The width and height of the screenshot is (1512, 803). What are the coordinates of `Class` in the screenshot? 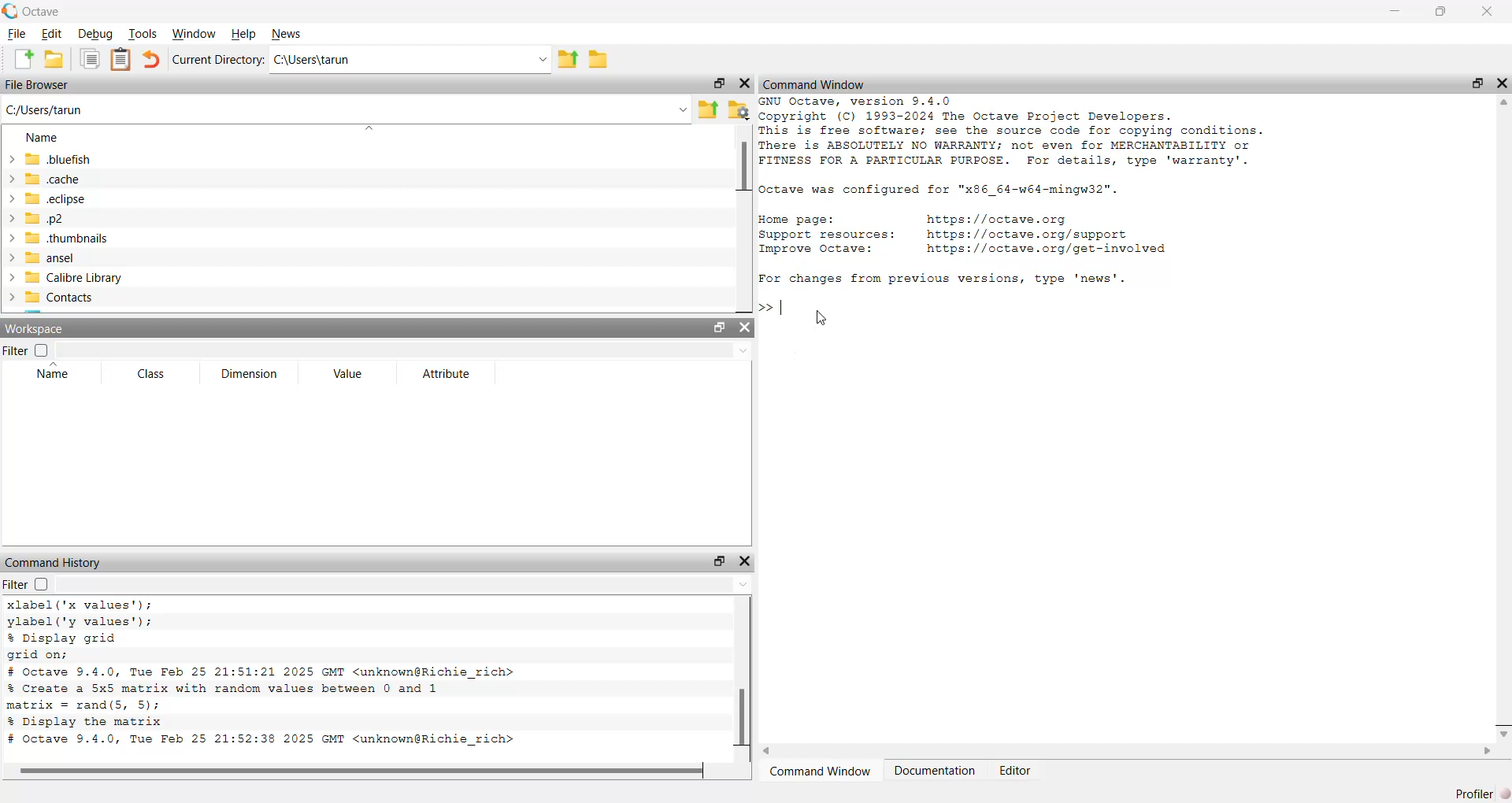 It's located at (148, 375).